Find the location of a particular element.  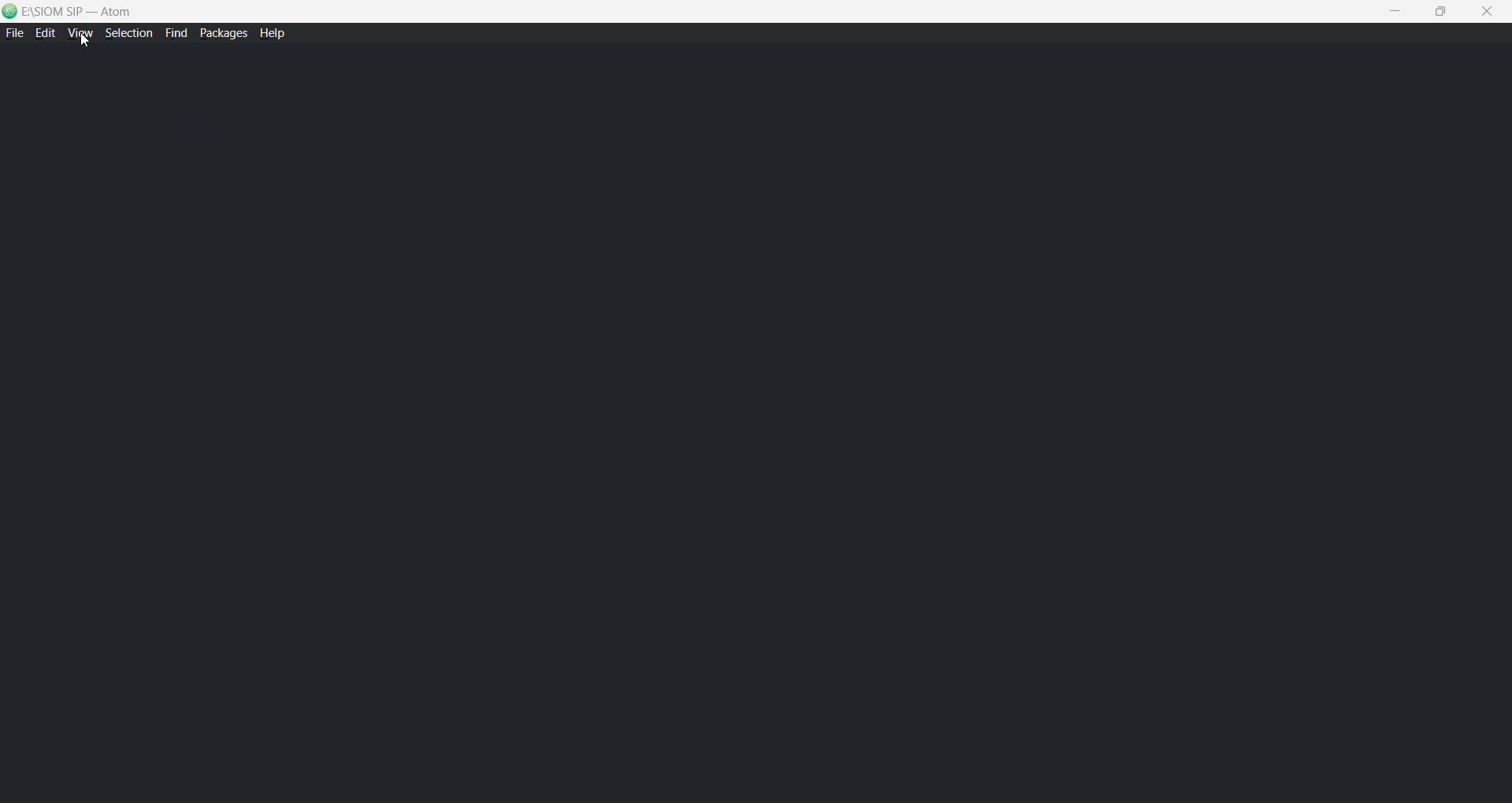

find is located at coordinates (176, 33).